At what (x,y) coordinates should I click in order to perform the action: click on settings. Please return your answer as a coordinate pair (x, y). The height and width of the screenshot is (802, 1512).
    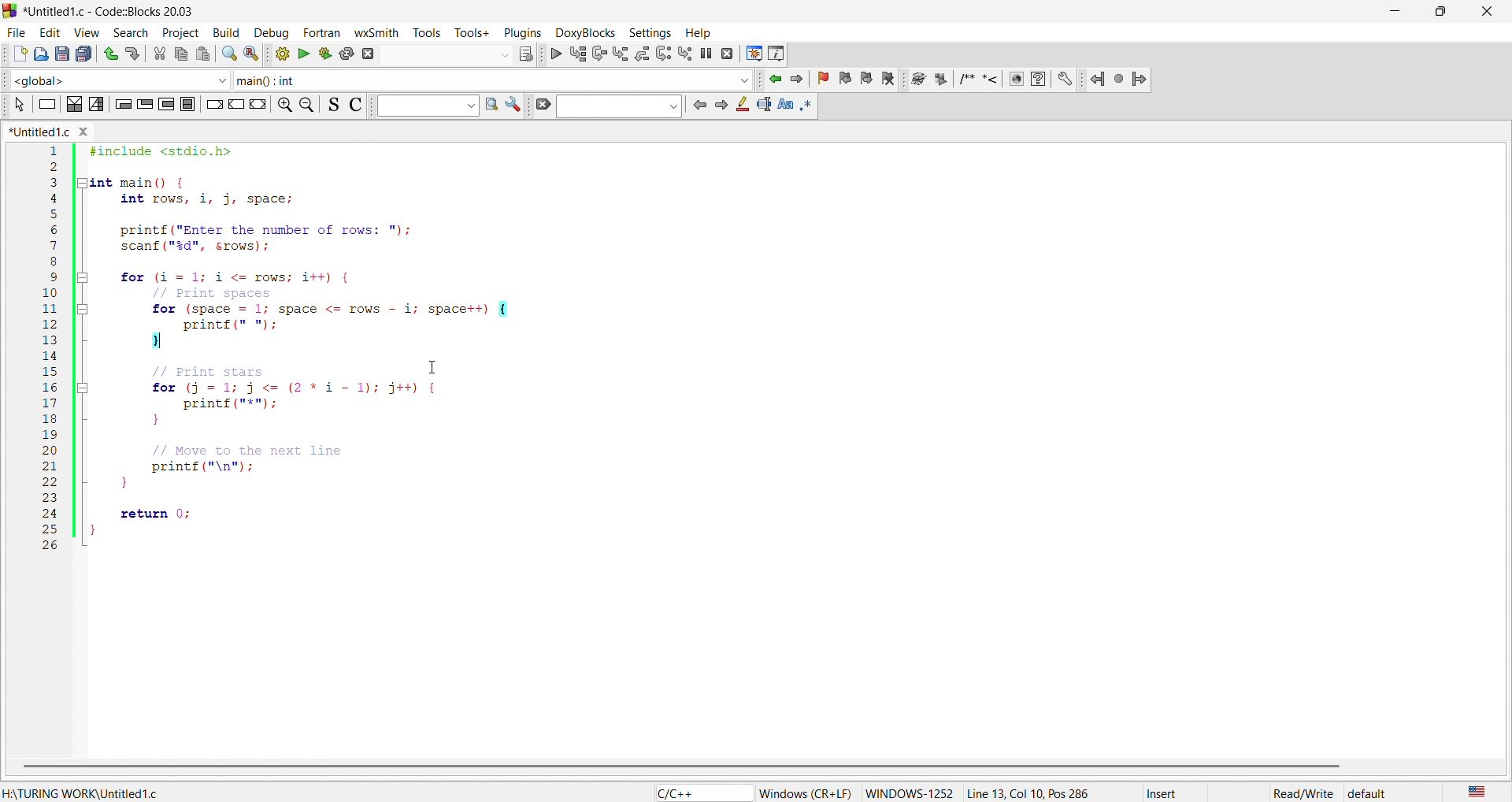
    Looking at the image, I should click on (513, 104).